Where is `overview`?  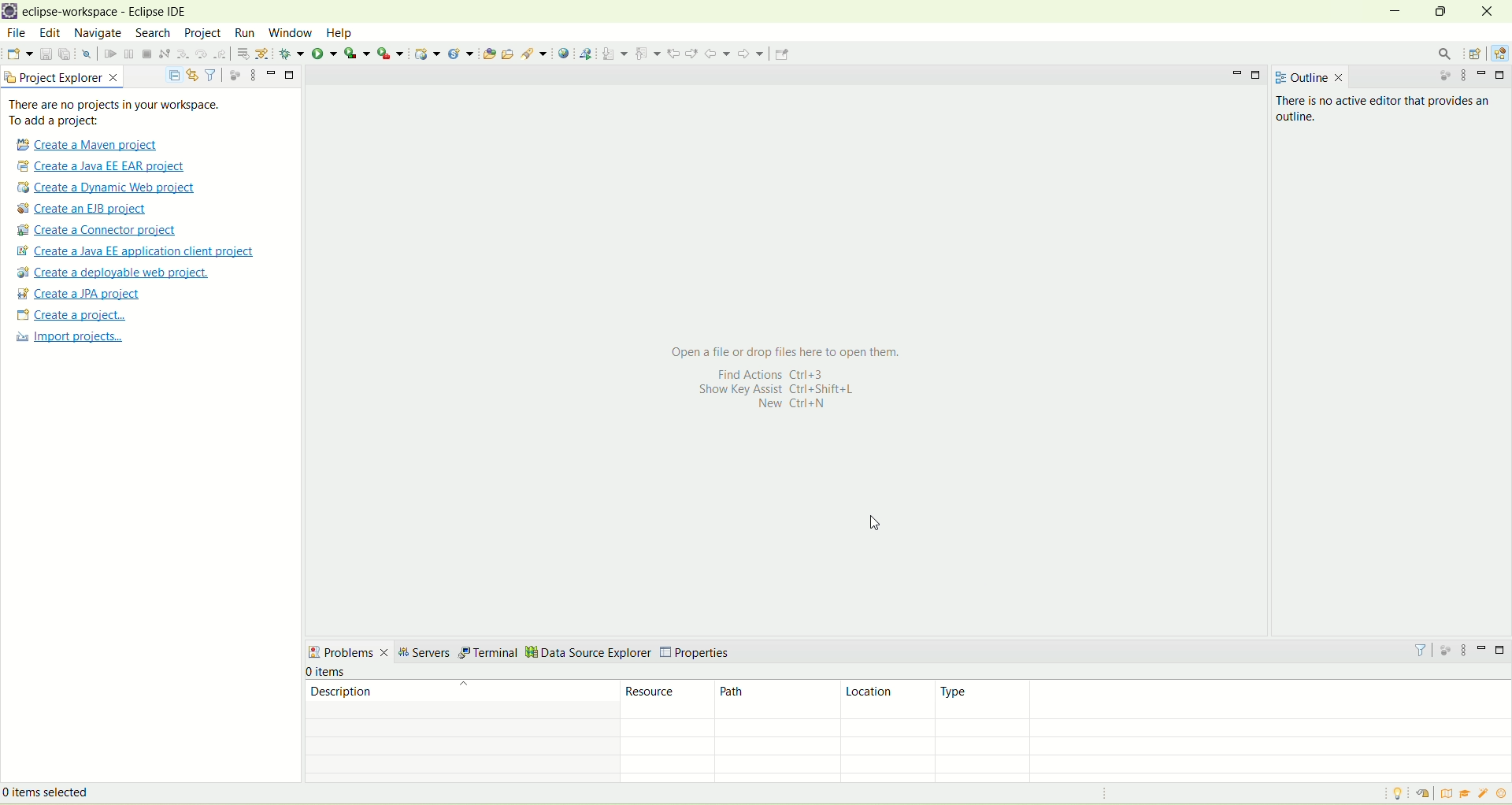 overview is located at coordinates (1450, 794).